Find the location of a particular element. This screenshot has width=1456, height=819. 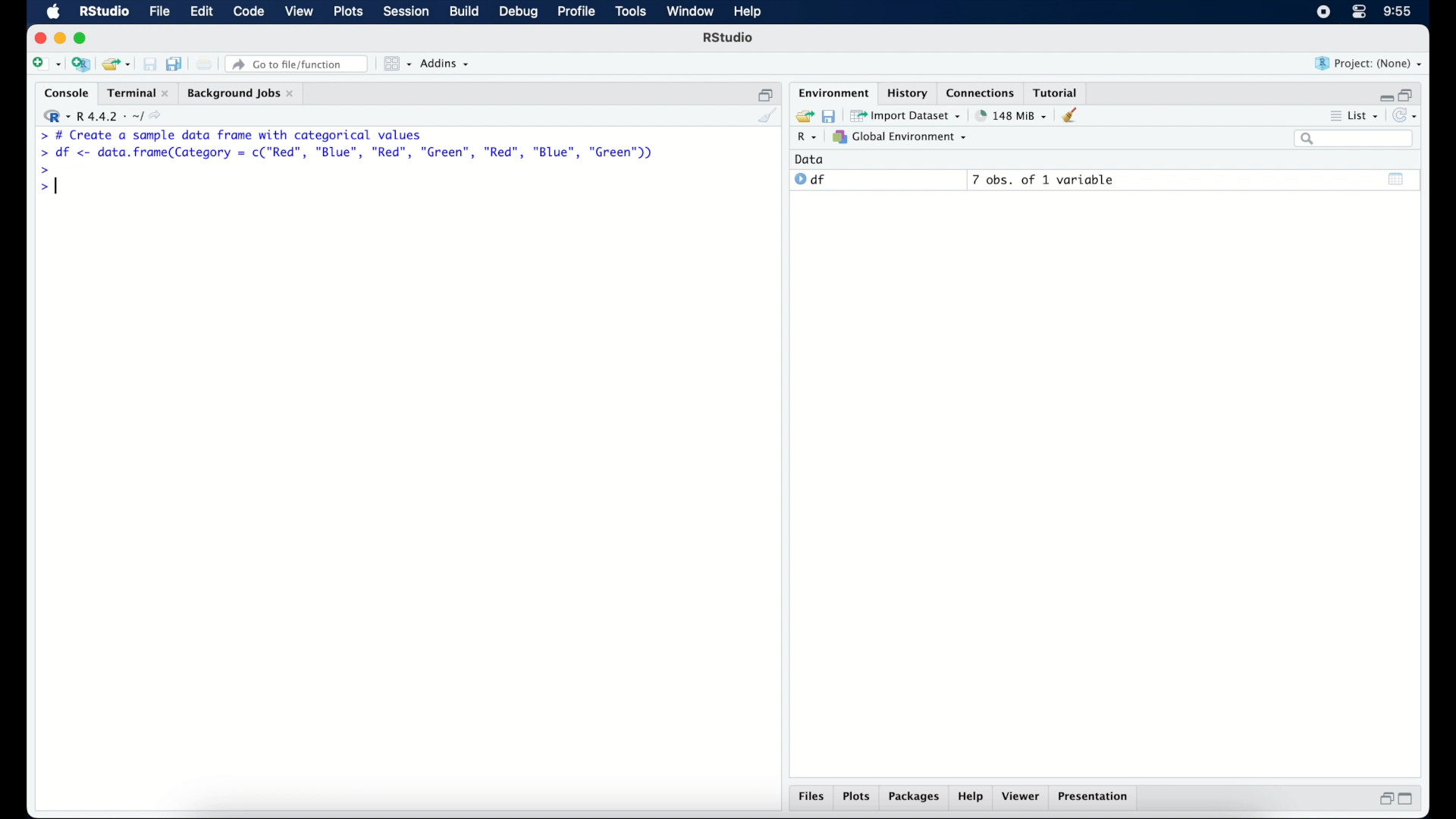

Go to file/ function is located at coordinates (300, 63).